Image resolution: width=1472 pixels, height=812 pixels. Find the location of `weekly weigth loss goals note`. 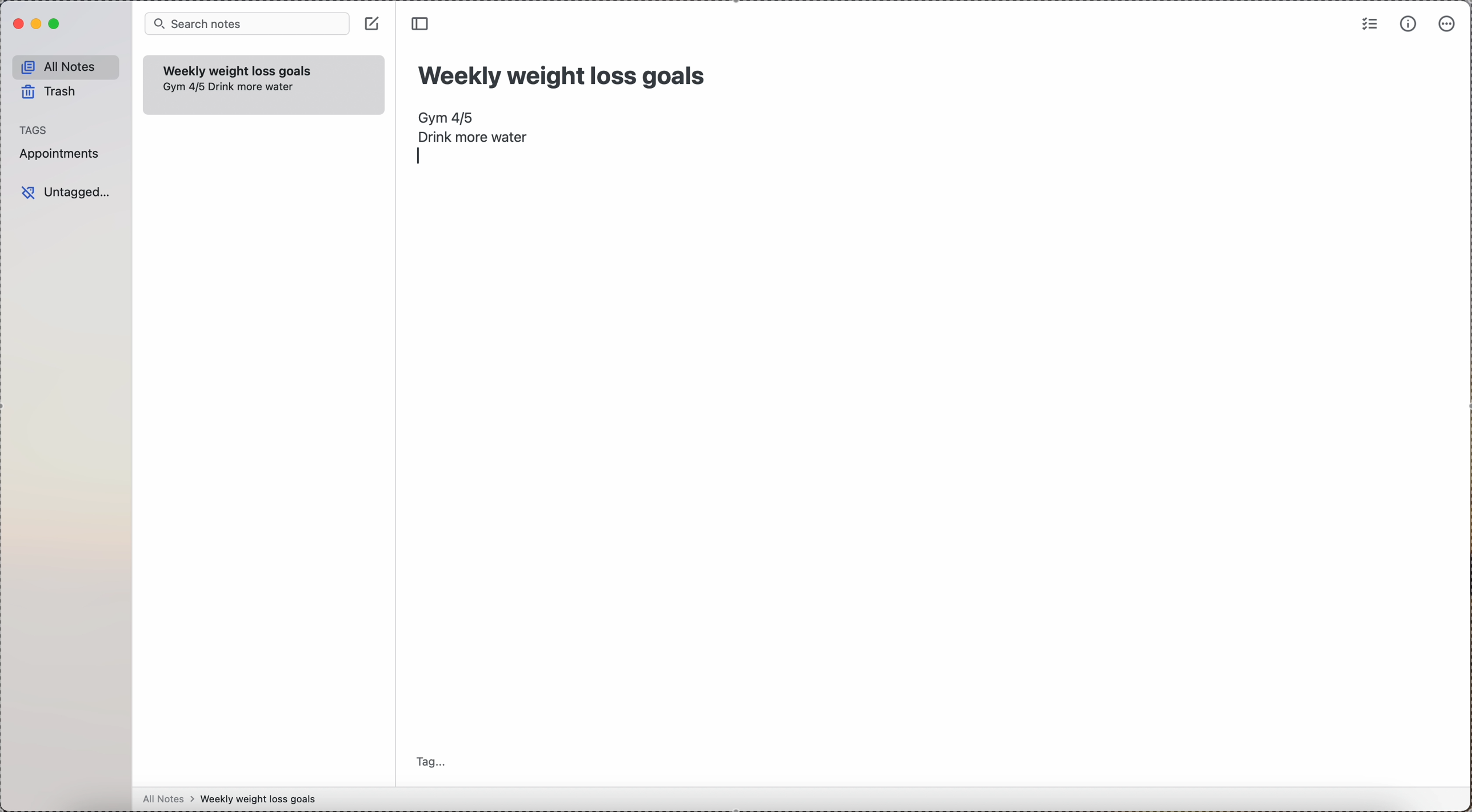

weekly weigth loss goals note is located at coordinates (238, 69).